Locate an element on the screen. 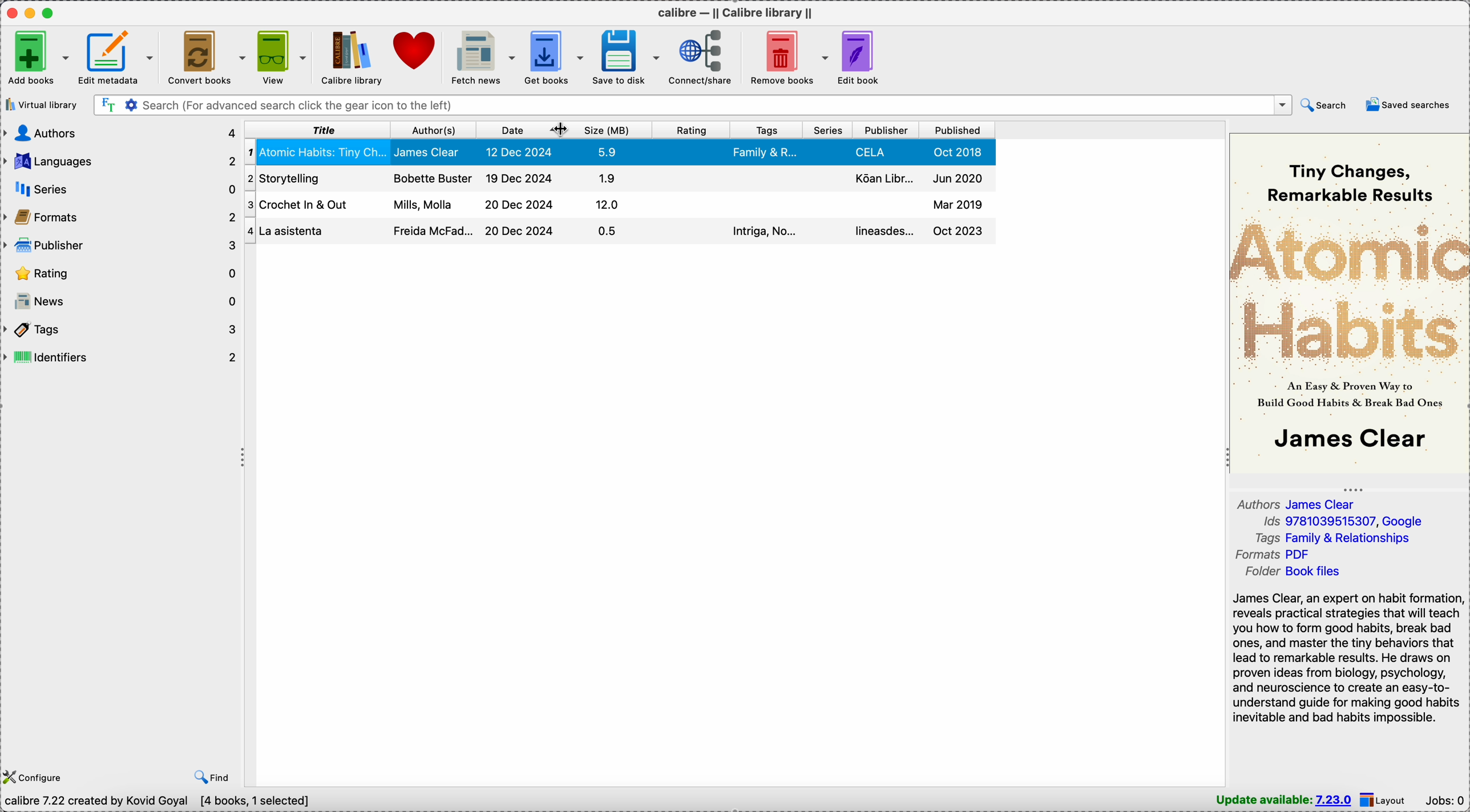 The width and height of the screenshot is (1470, 812). tags is located at coordinates (122, 330).